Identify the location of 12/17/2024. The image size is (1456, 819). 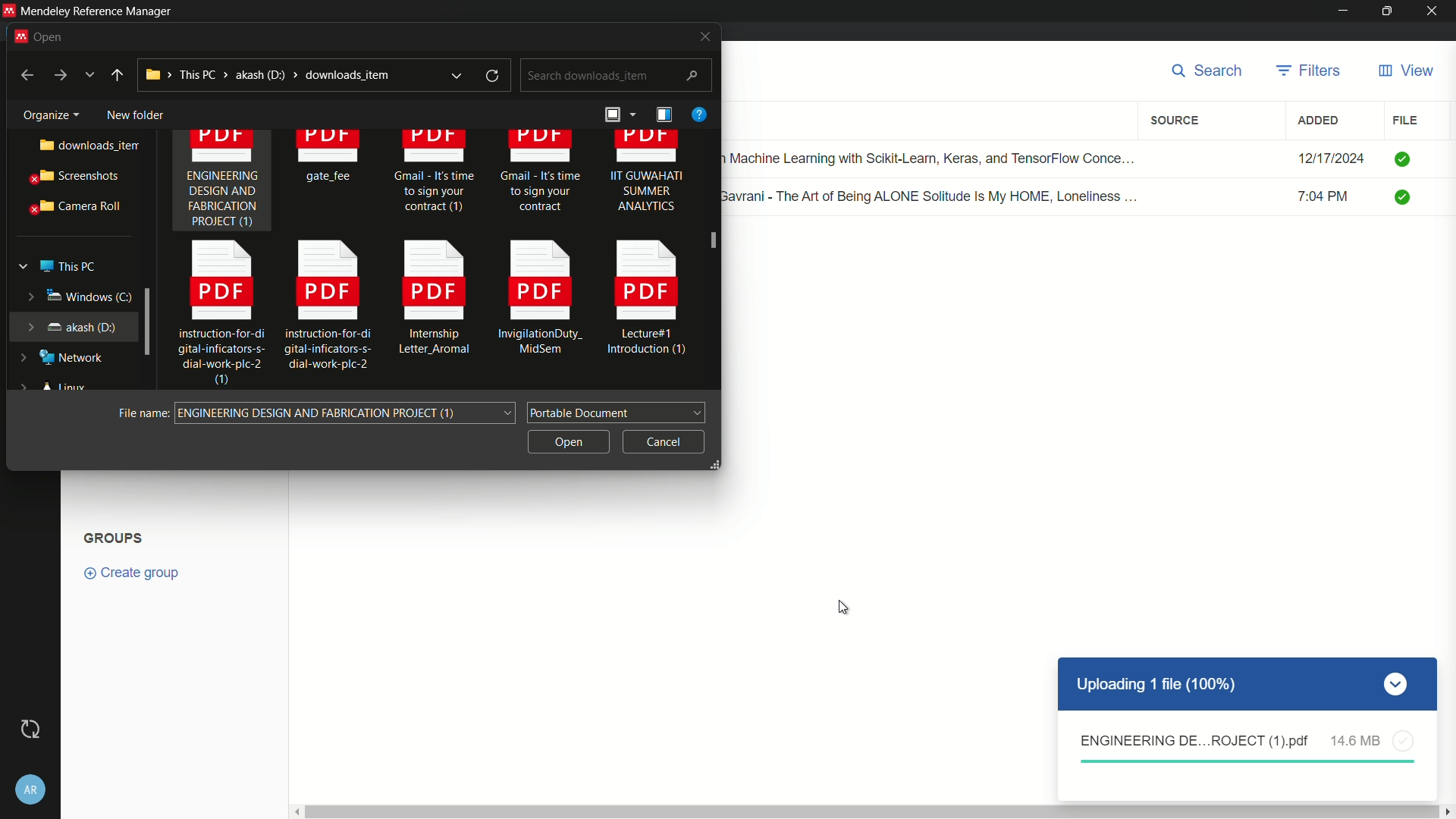
(1331, 158).